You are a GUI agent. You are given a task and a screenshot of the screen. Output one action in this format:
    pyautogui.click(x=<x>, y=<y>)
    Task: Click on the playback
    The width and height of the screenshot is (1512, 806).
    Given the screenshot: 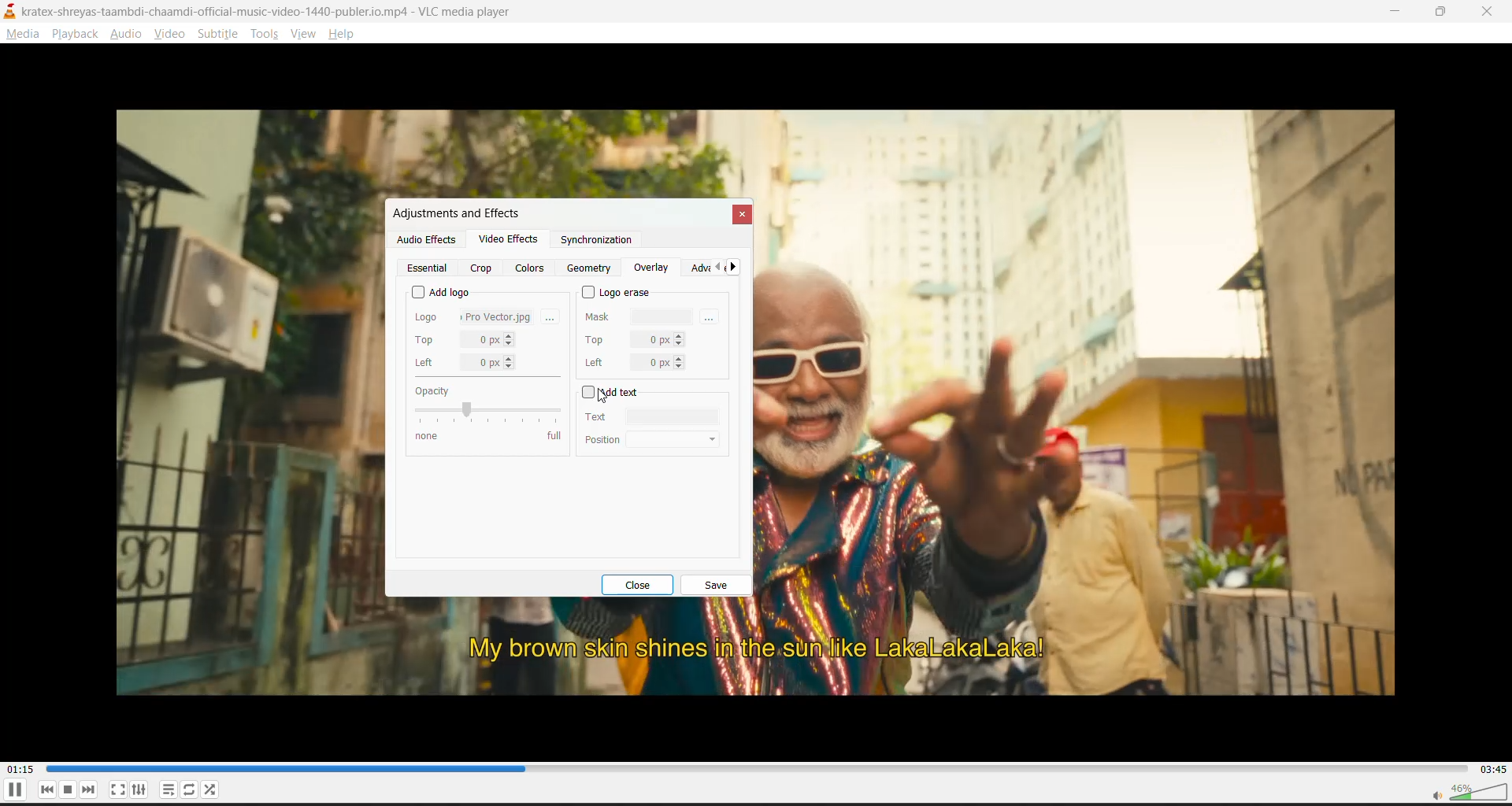 What is the action you would take?
    pyautogui.click(x=75, y=34)
    